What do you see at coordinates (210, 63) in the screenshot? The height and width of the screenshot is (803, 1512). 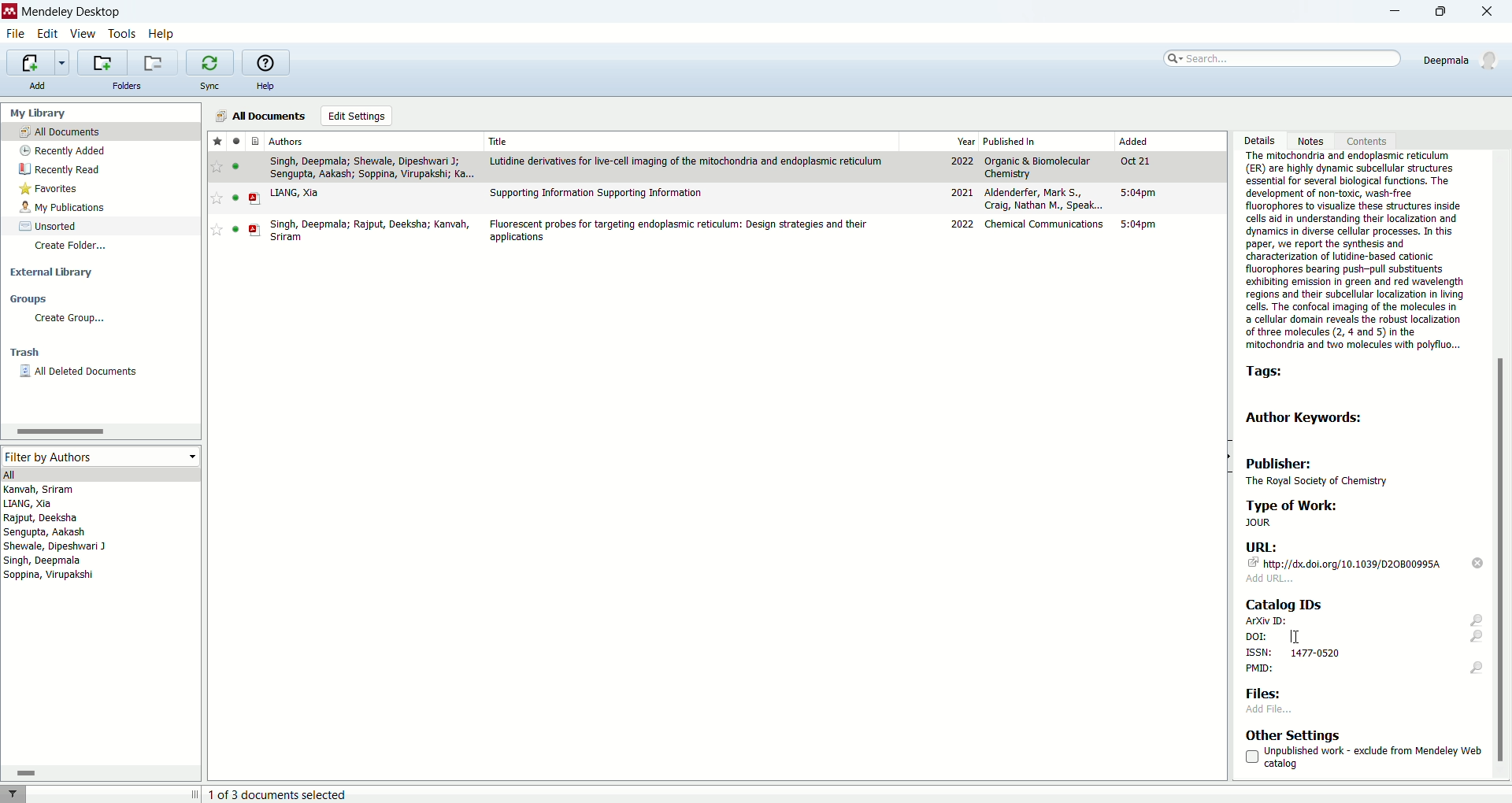 I see `synchronize the library with mendeley web` at bounding box center [210, 63].